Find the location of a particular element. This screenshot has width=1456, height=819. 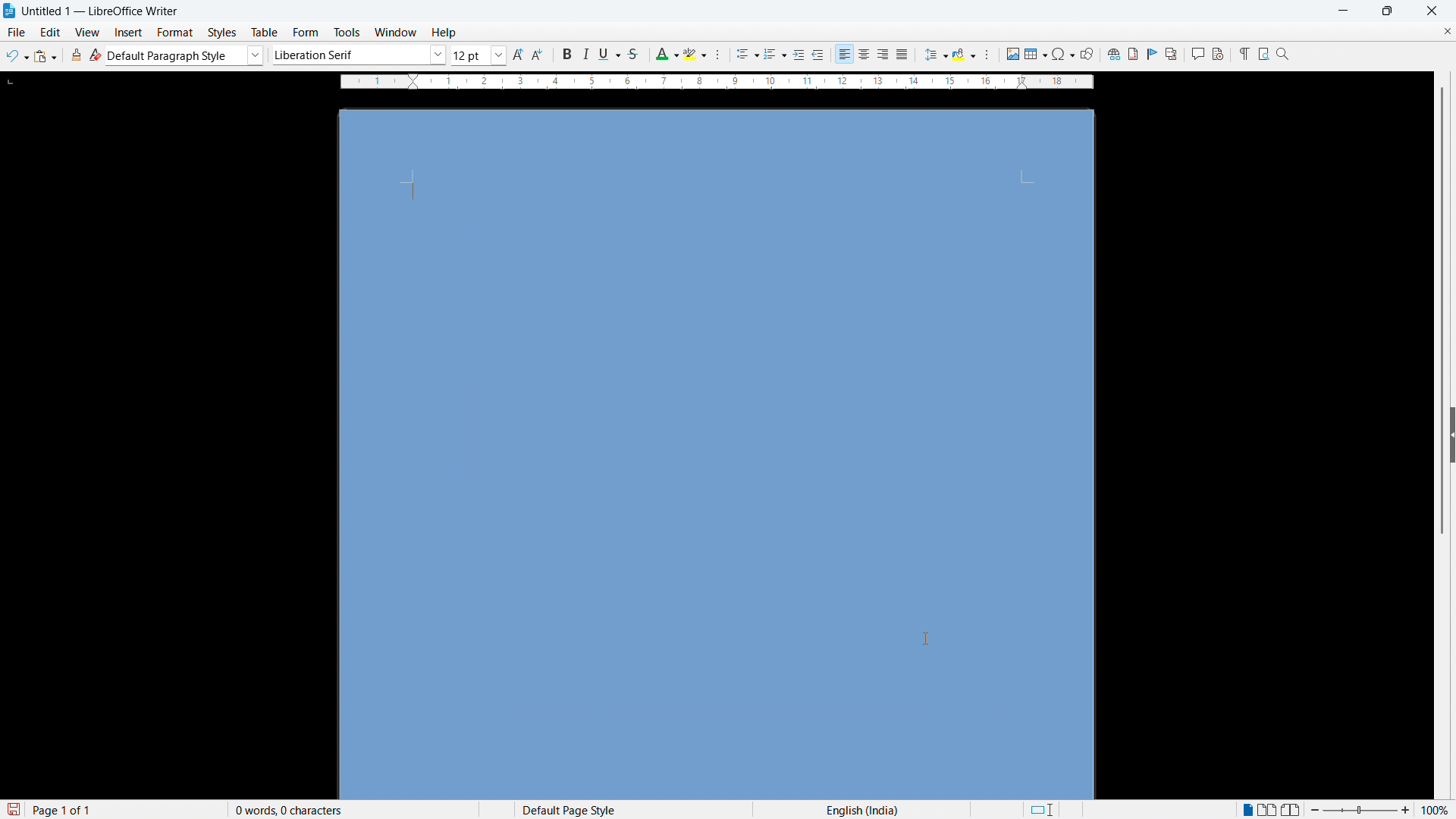

Tools  is located at coordinates (346, 33).